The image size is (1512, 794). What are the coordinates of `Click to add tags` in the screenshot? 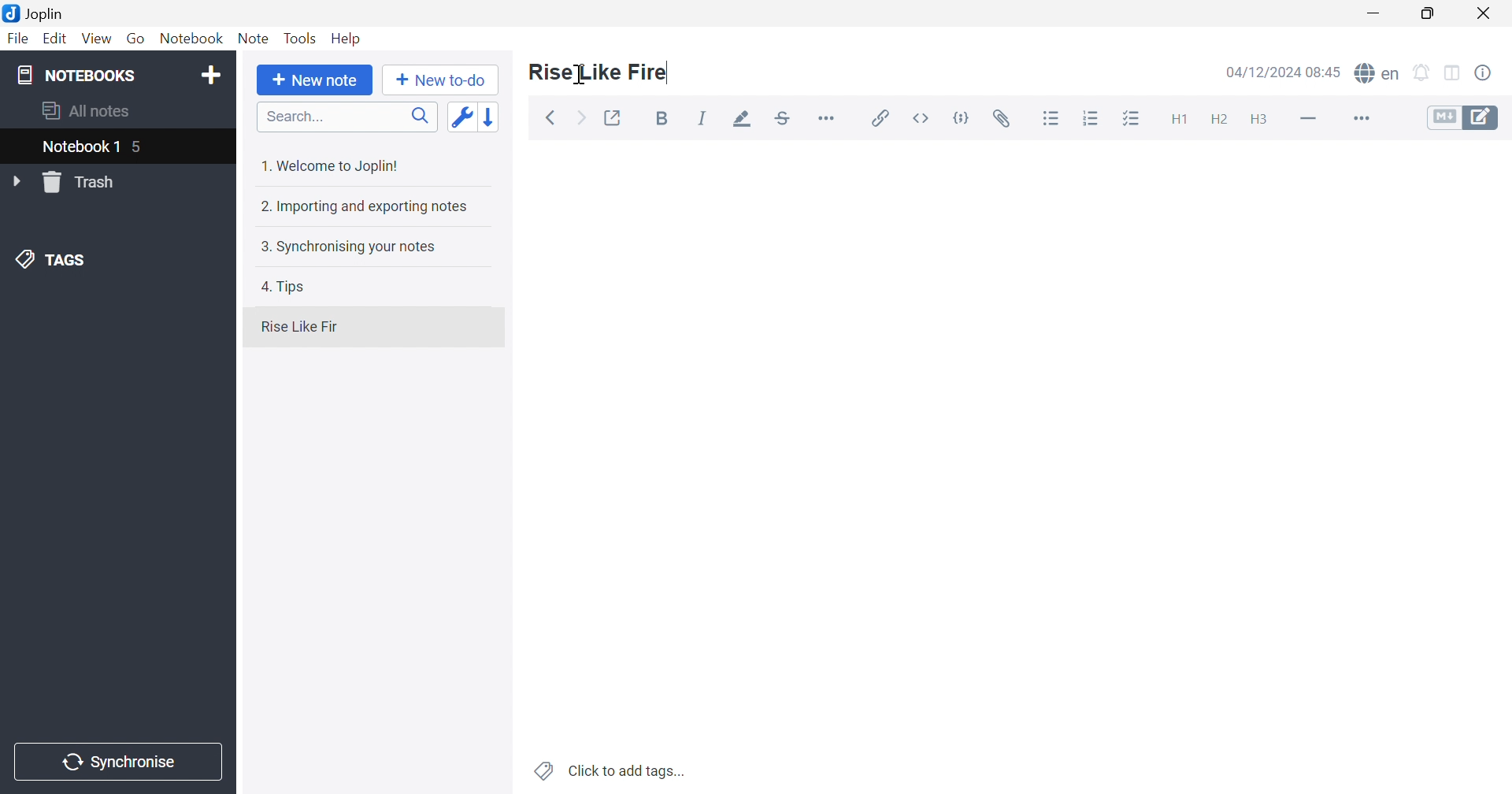 It's located at (606, 770).